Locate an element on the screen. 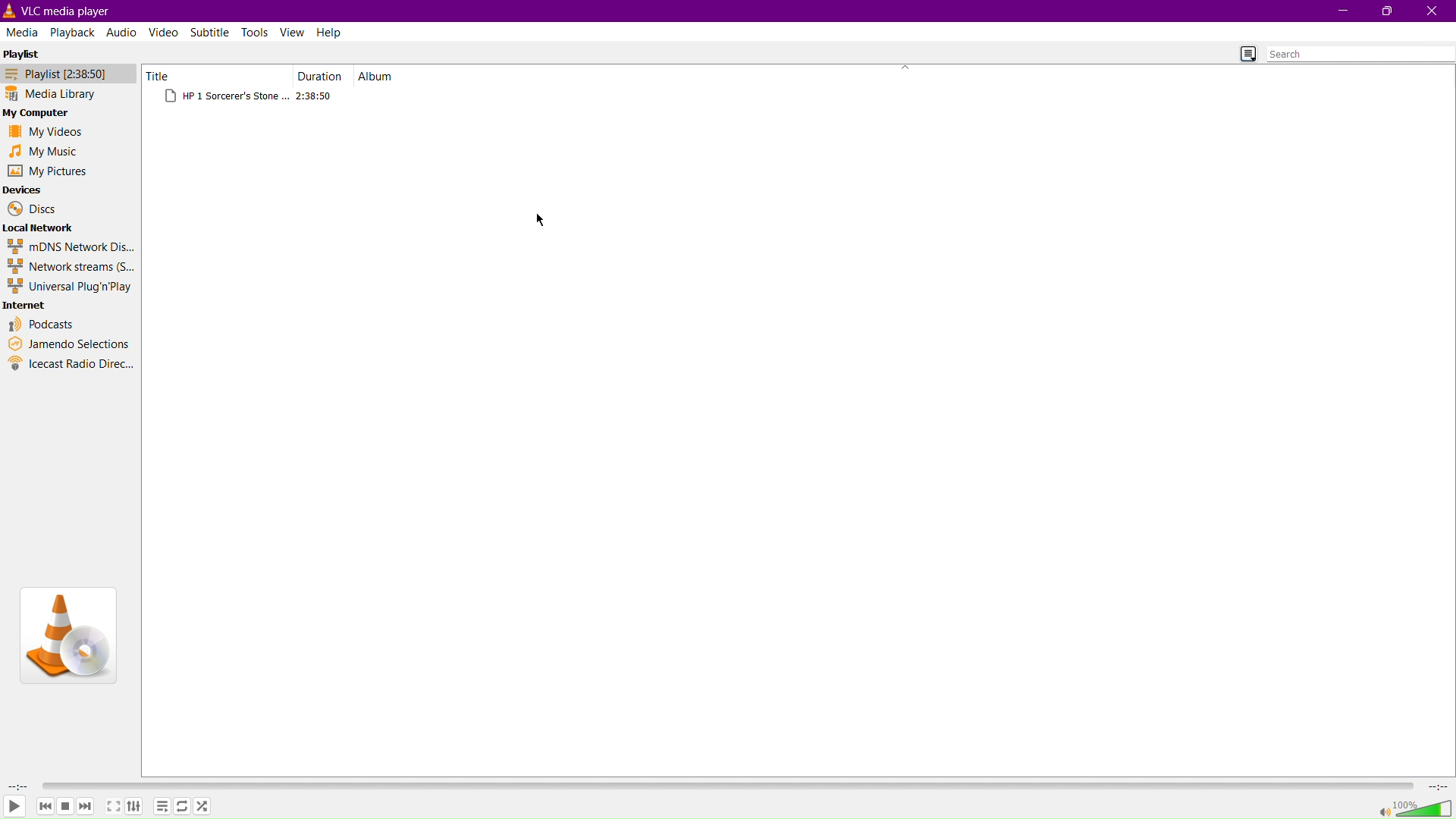 The image size is (1456, 819). Playback is located at coordinates (72, 31).